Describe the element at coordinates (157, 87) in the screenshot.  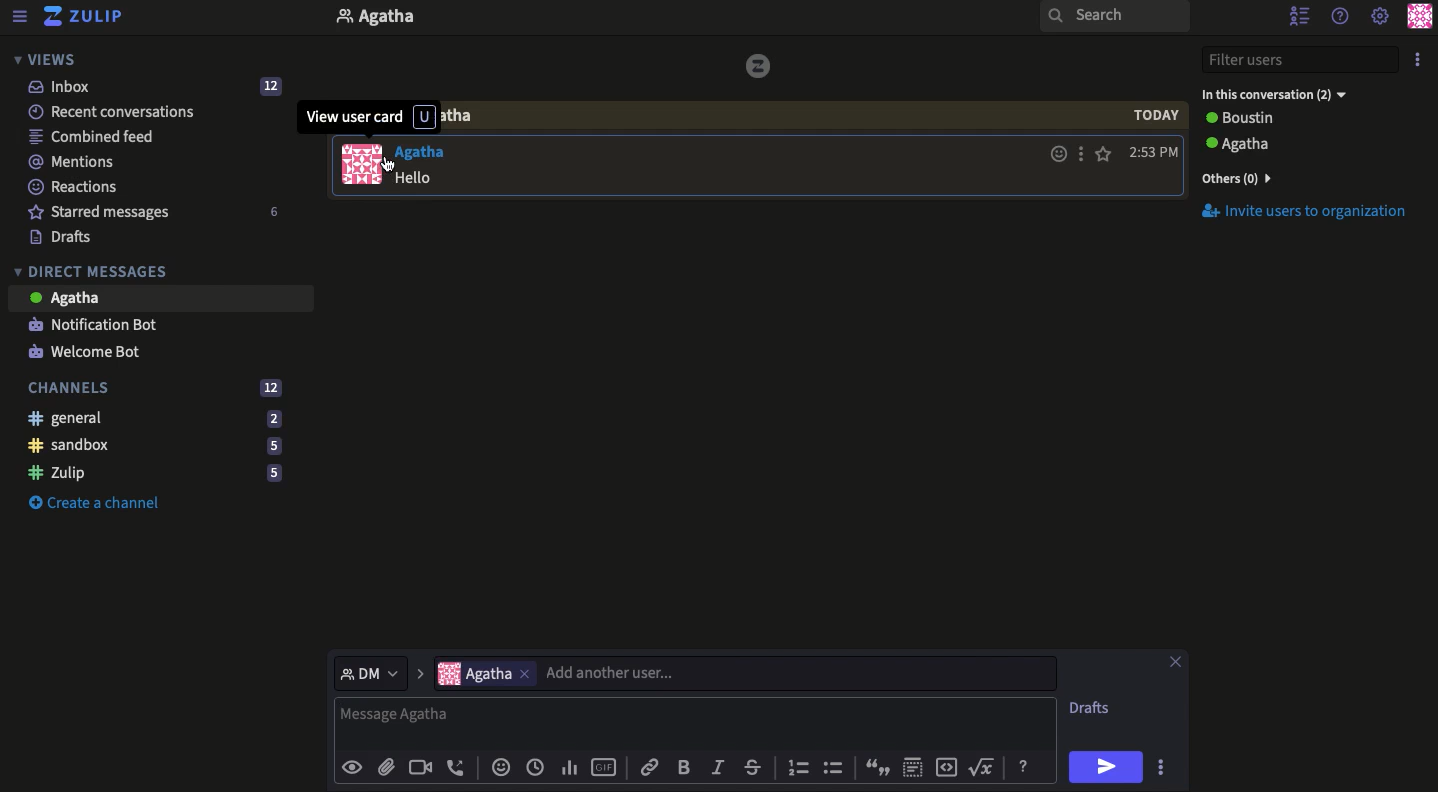
I see `Inbox` at that location.